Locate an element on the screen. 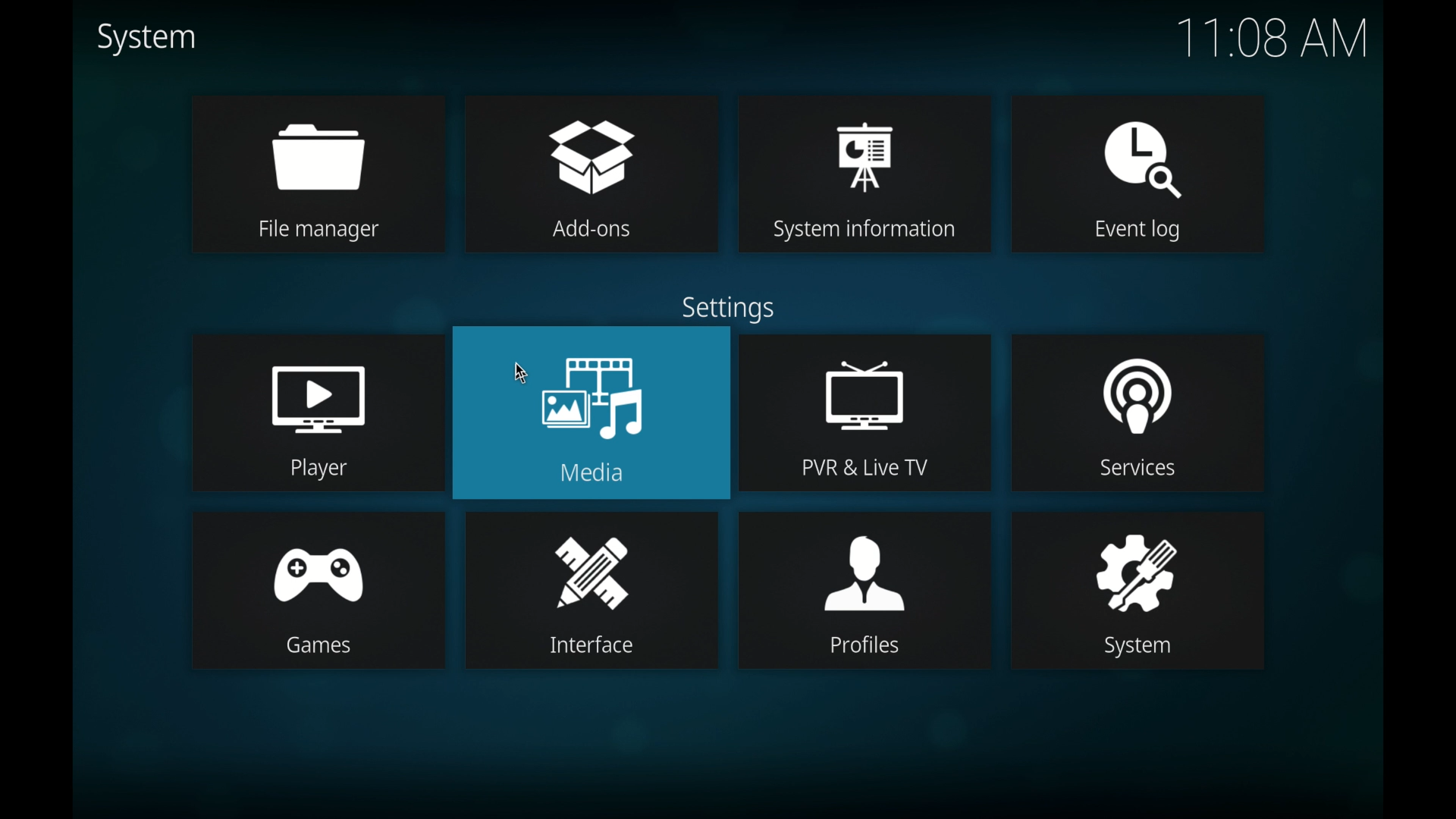 The width and height of the screenshot is (1456, 819). PVR and live tv is located at coordinates (865, 412).